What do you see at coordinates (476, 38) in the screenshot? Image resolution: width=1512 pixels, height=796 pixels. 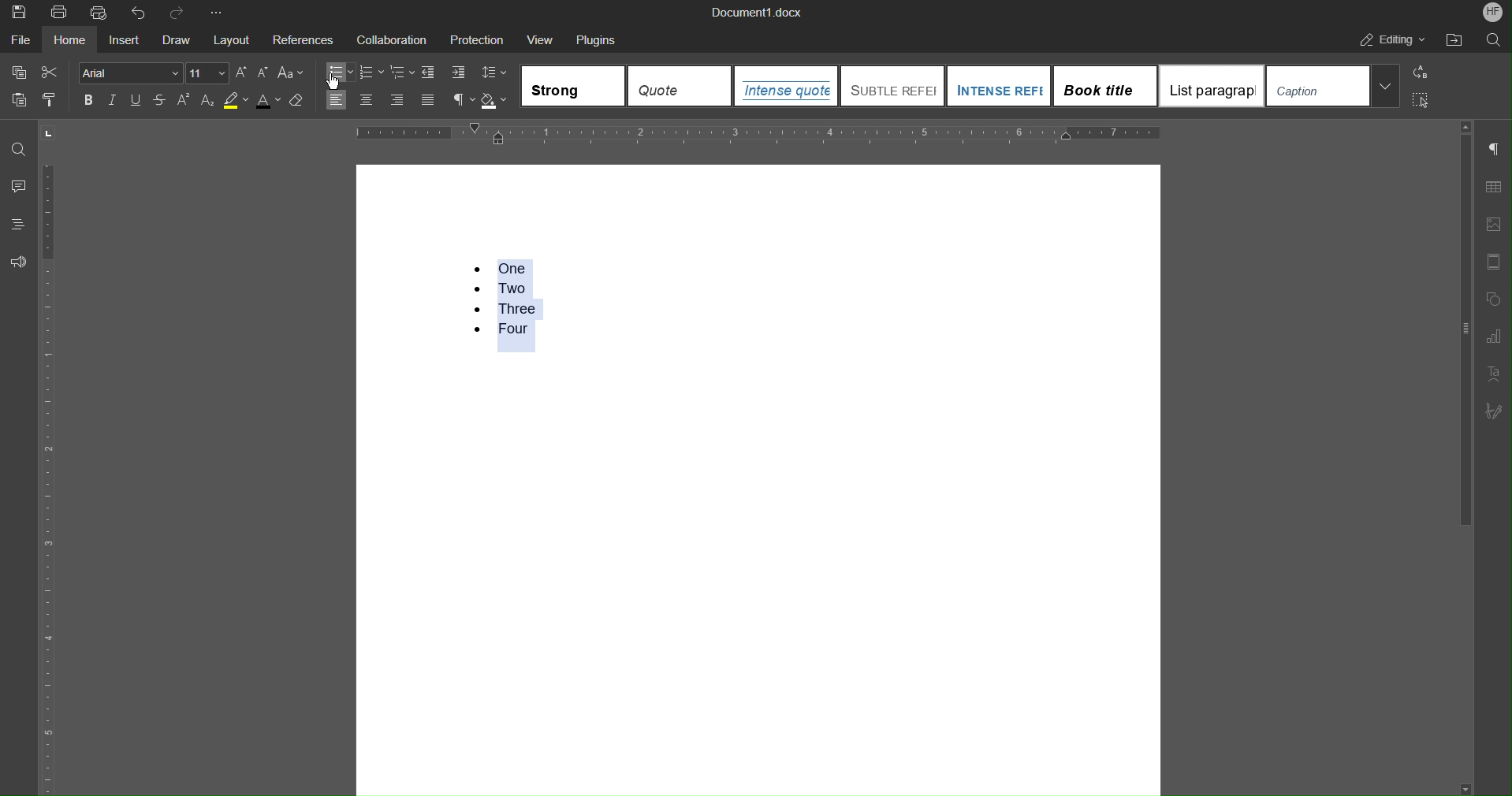 I see `Protection` at bounding box center [476, 38].